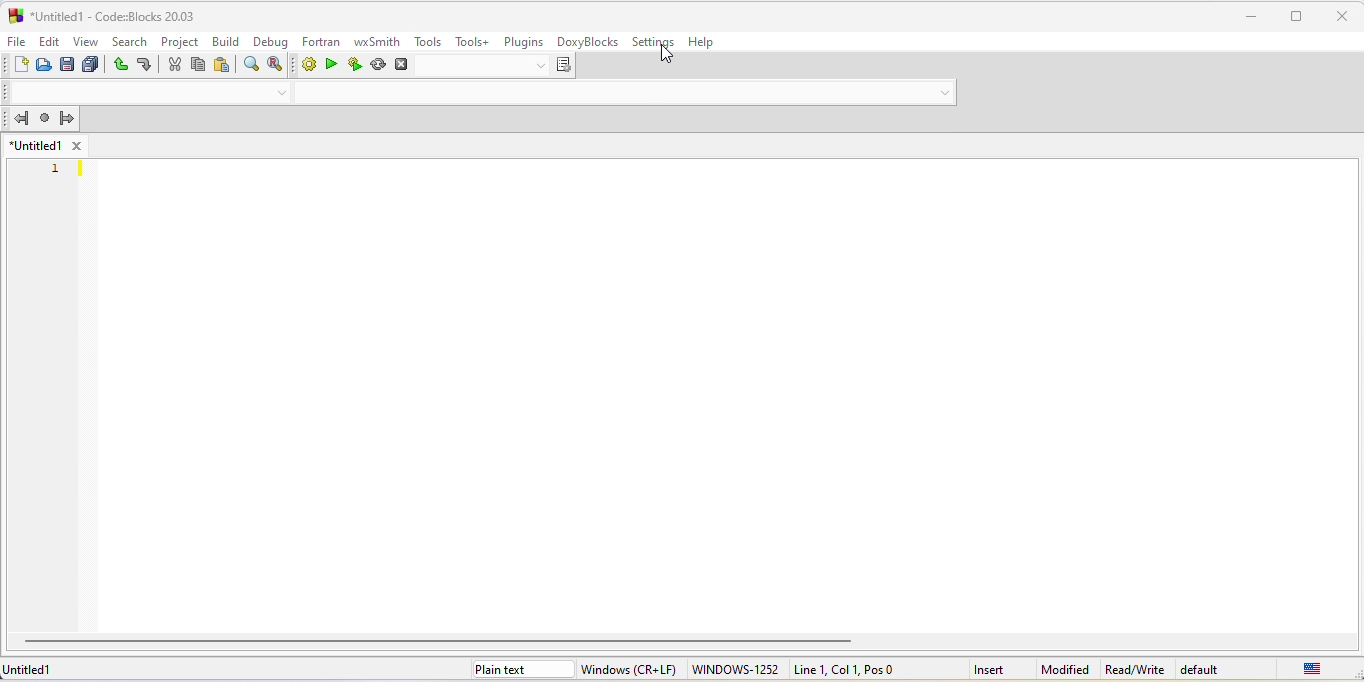 The height and width of the screenshot is (682, 1364). Describe the element at coordinates (198, 64) in the screenshot. I see `copy` at that location.